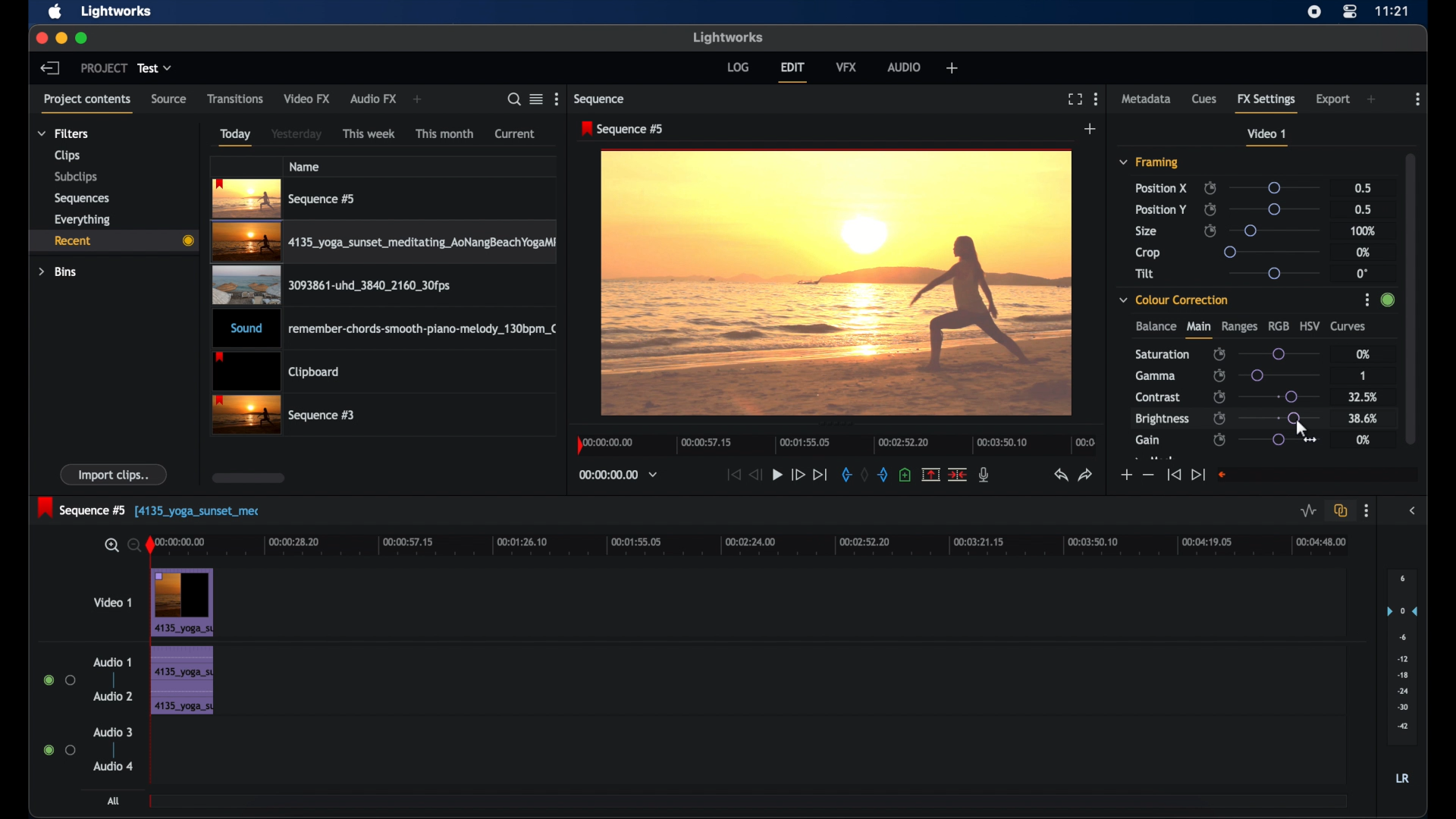 The image size is (1456, 819). Describe the element at coordinates (1279, 440) in the screenshot. I see `slider` at that location.